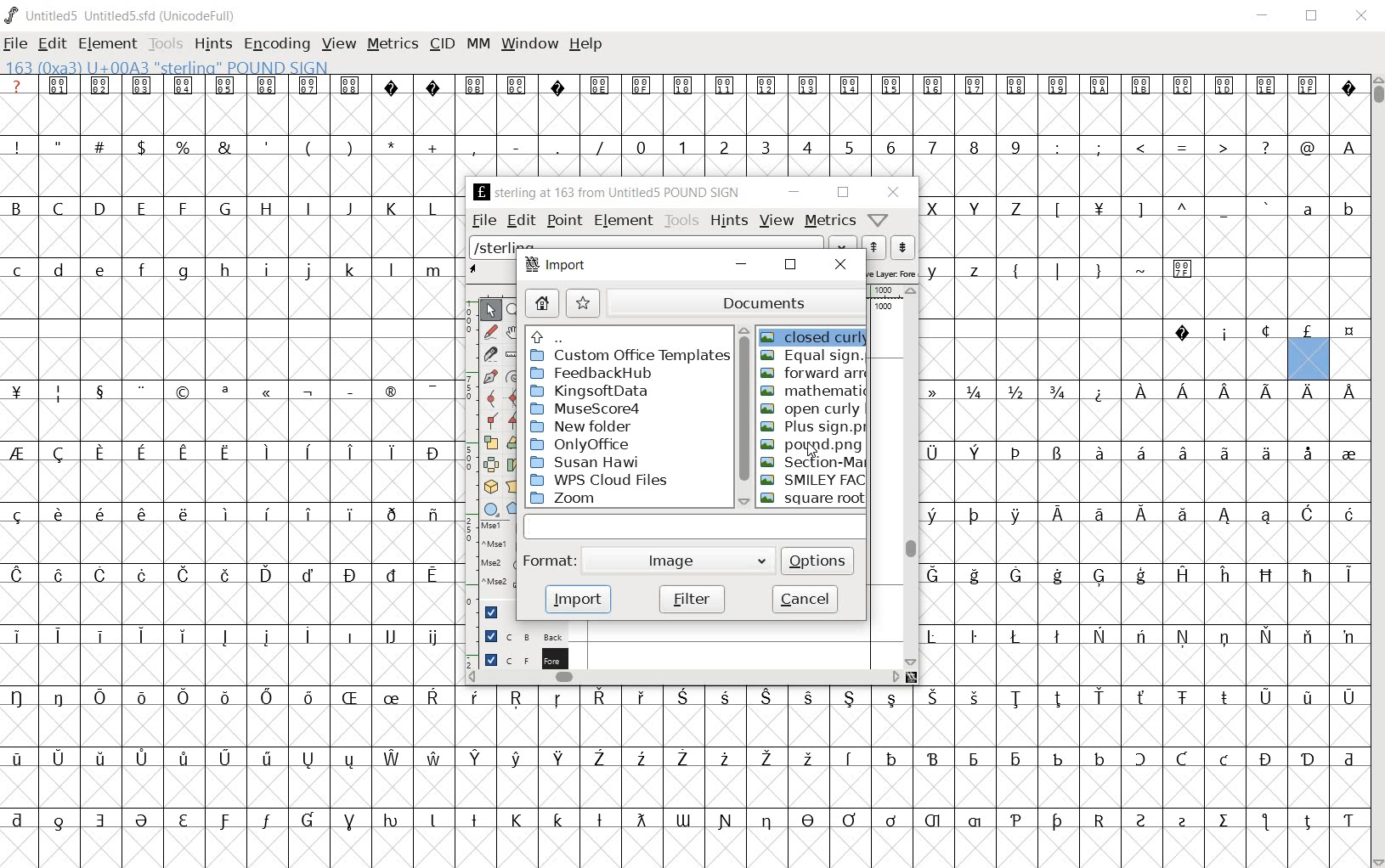  What do you see at coordinates (495, 548) in the screenshot?
I see `Mouse left button + Ctrl` at bounding box center [495, 548].